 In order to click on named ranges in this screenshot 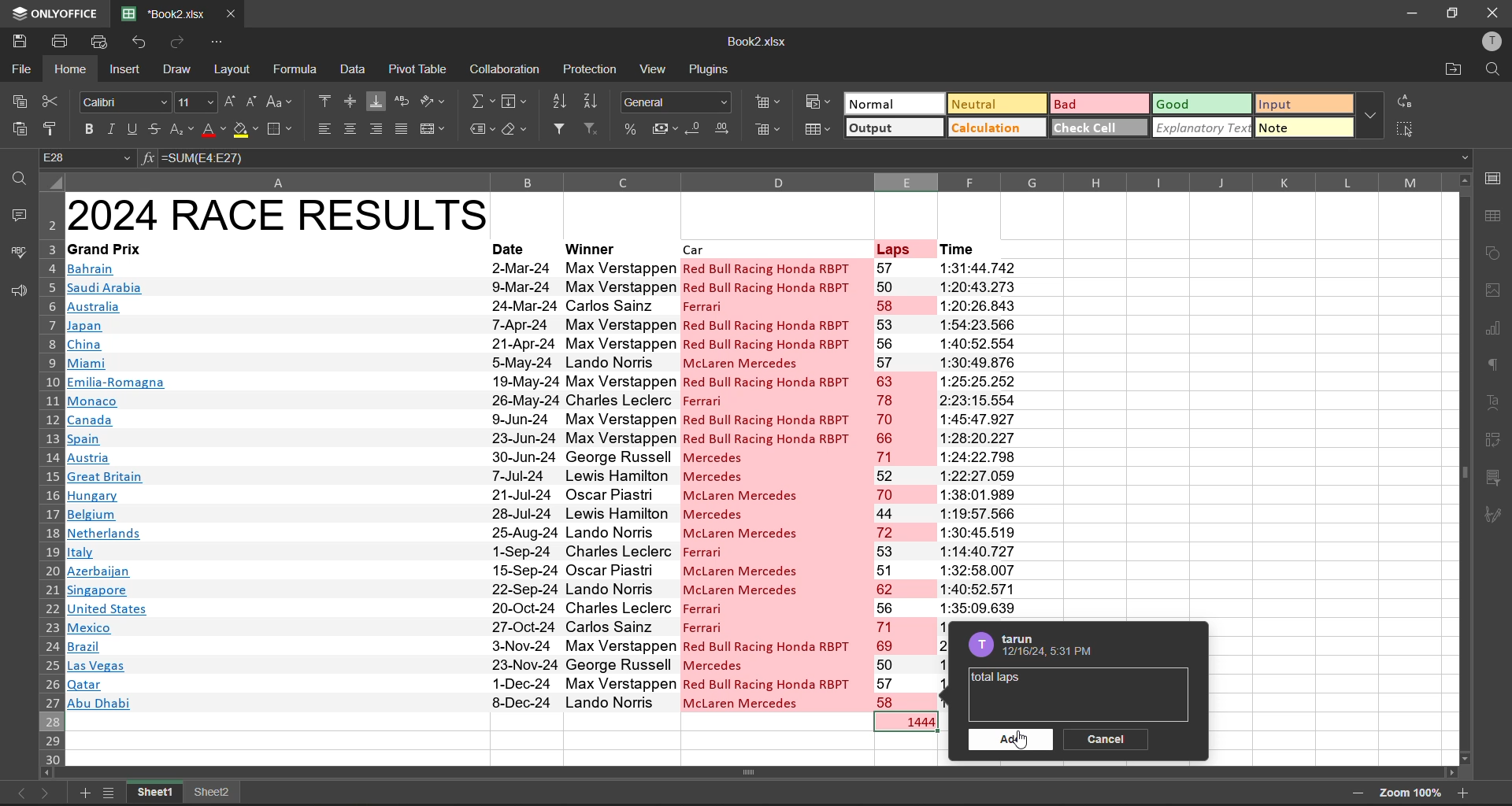, I will do `click(481, 127)`.